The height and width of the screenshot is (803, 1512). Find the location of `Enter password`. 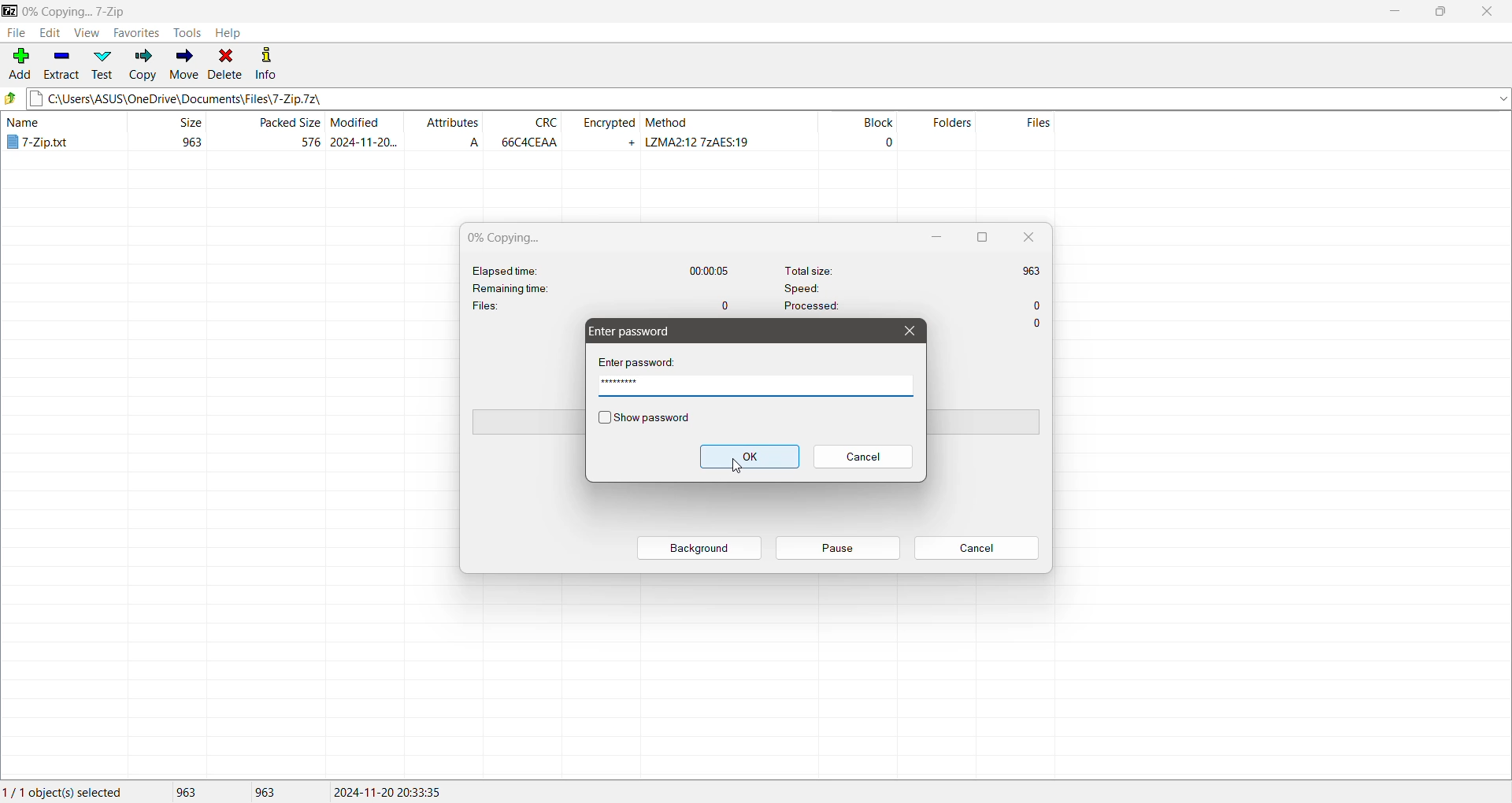

Enter password is located at coordinates (643, 361).